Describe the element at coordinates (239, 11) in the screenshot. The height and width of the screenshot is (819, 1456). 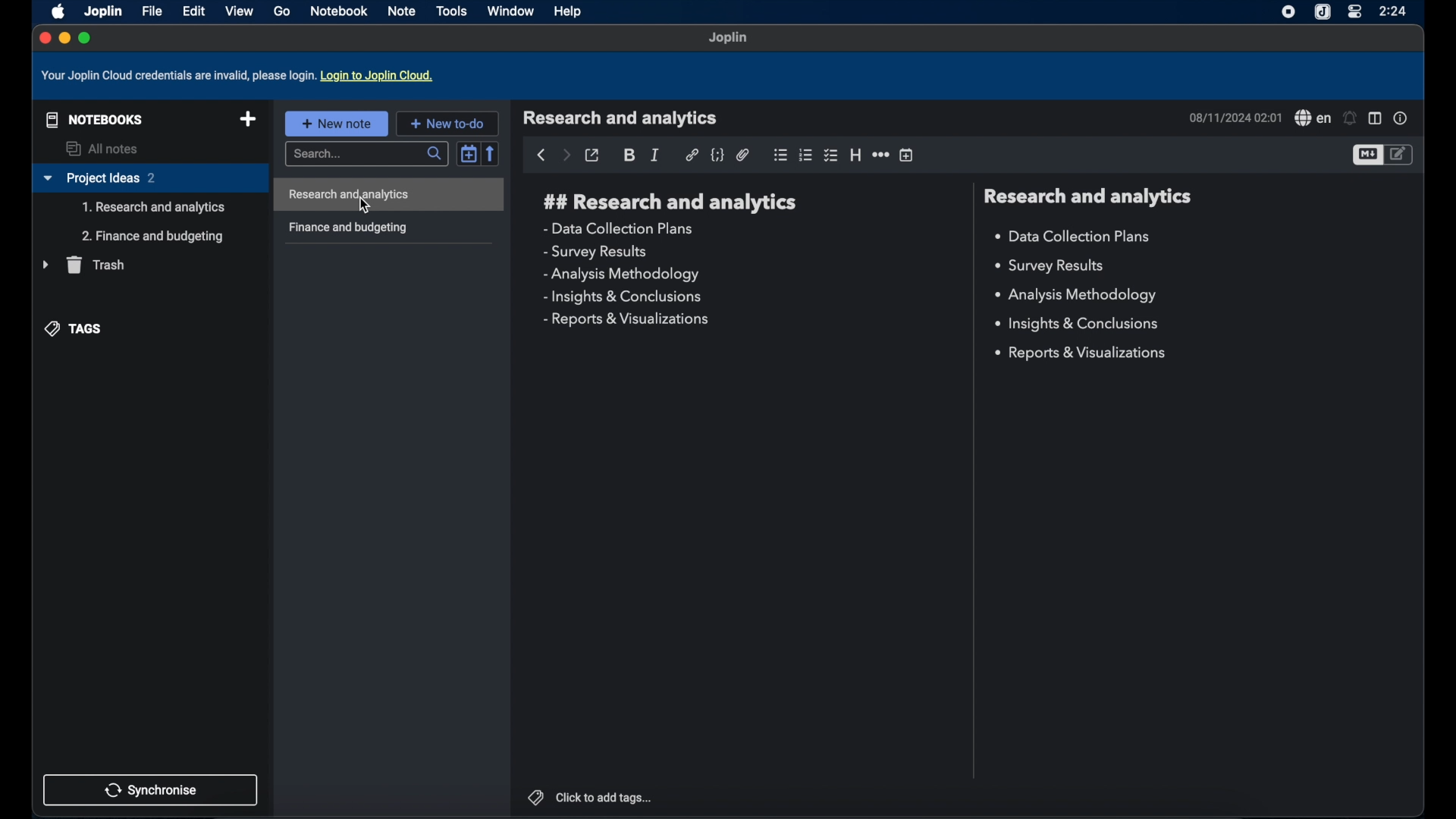
I see `view` at that location.